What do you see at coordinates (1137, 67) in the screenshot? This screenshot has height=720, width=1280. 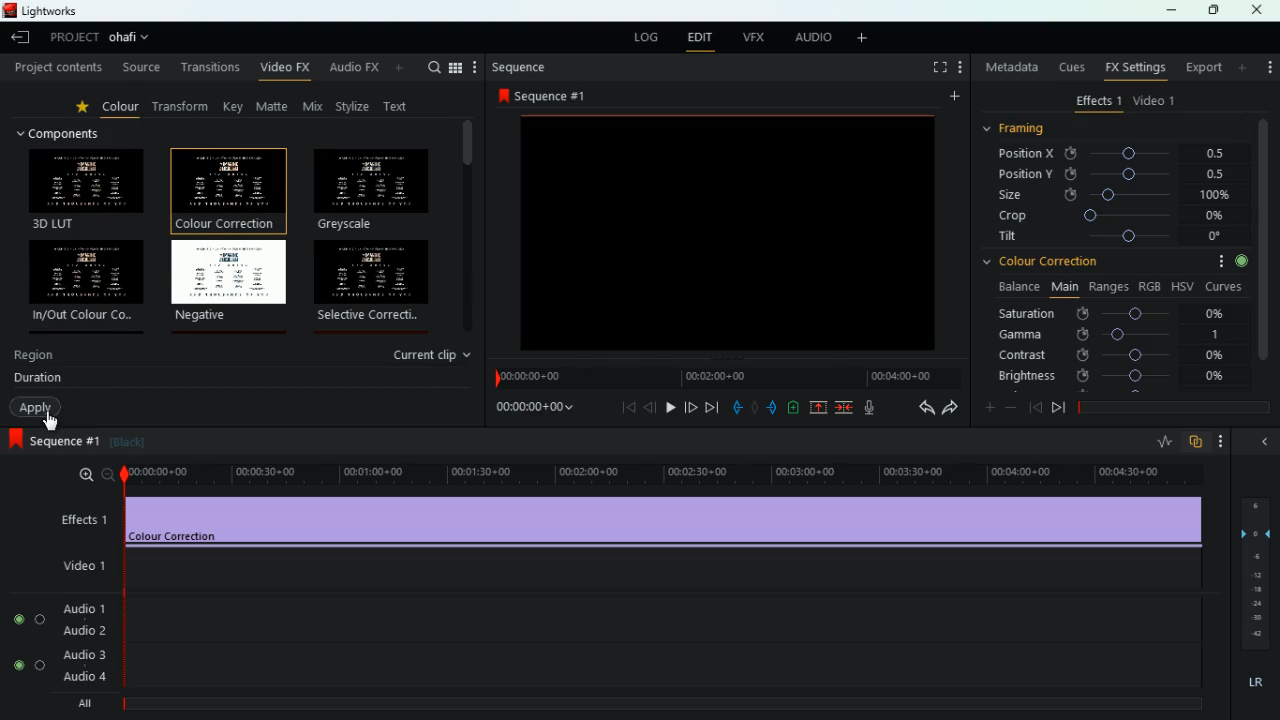 I see `fx settings` at bounding box center [1137, 67].